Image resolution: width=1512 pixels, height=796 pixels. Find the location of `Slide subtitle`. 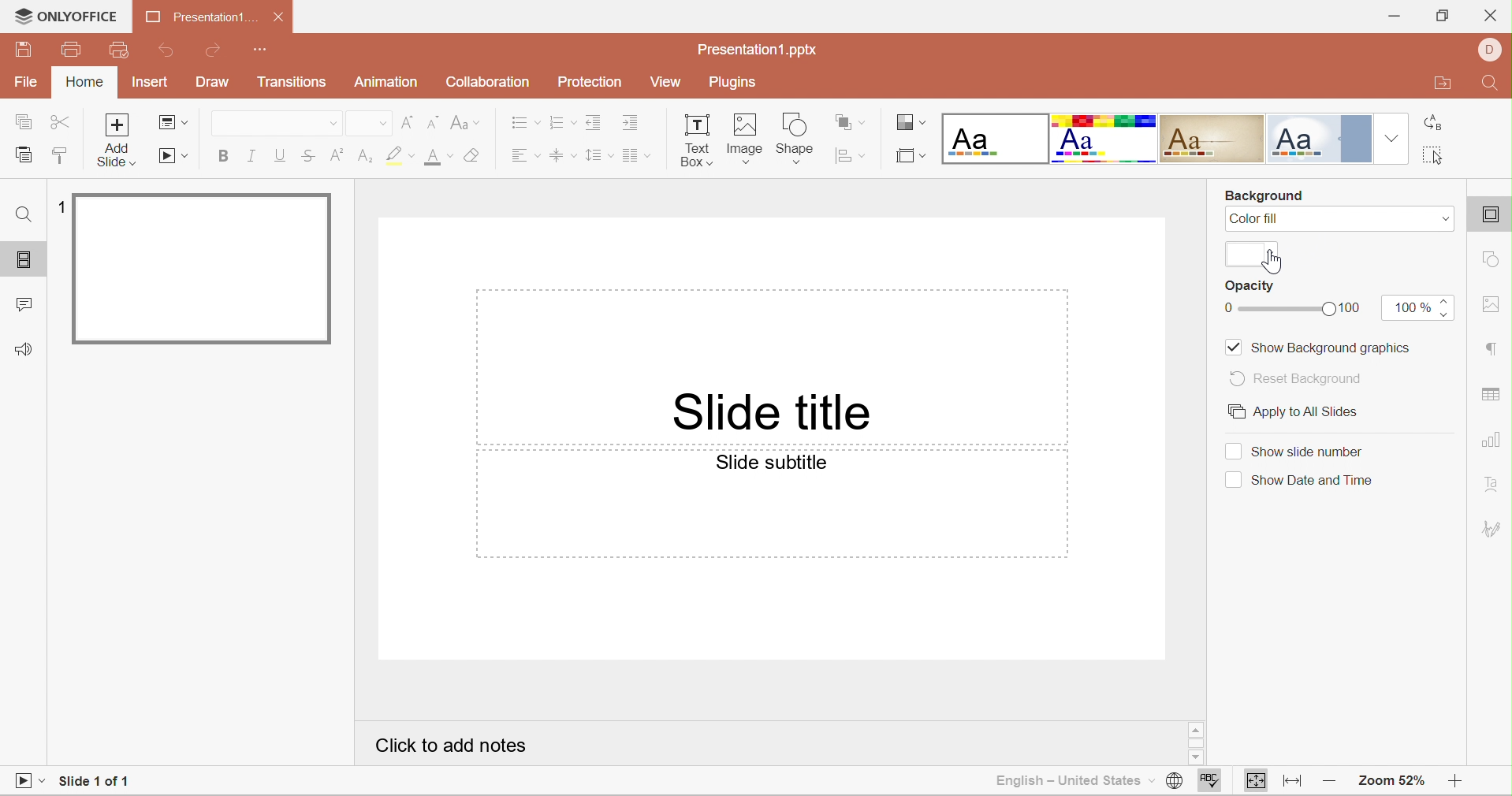

Slide subtitle is located at coordinates (770, 463).